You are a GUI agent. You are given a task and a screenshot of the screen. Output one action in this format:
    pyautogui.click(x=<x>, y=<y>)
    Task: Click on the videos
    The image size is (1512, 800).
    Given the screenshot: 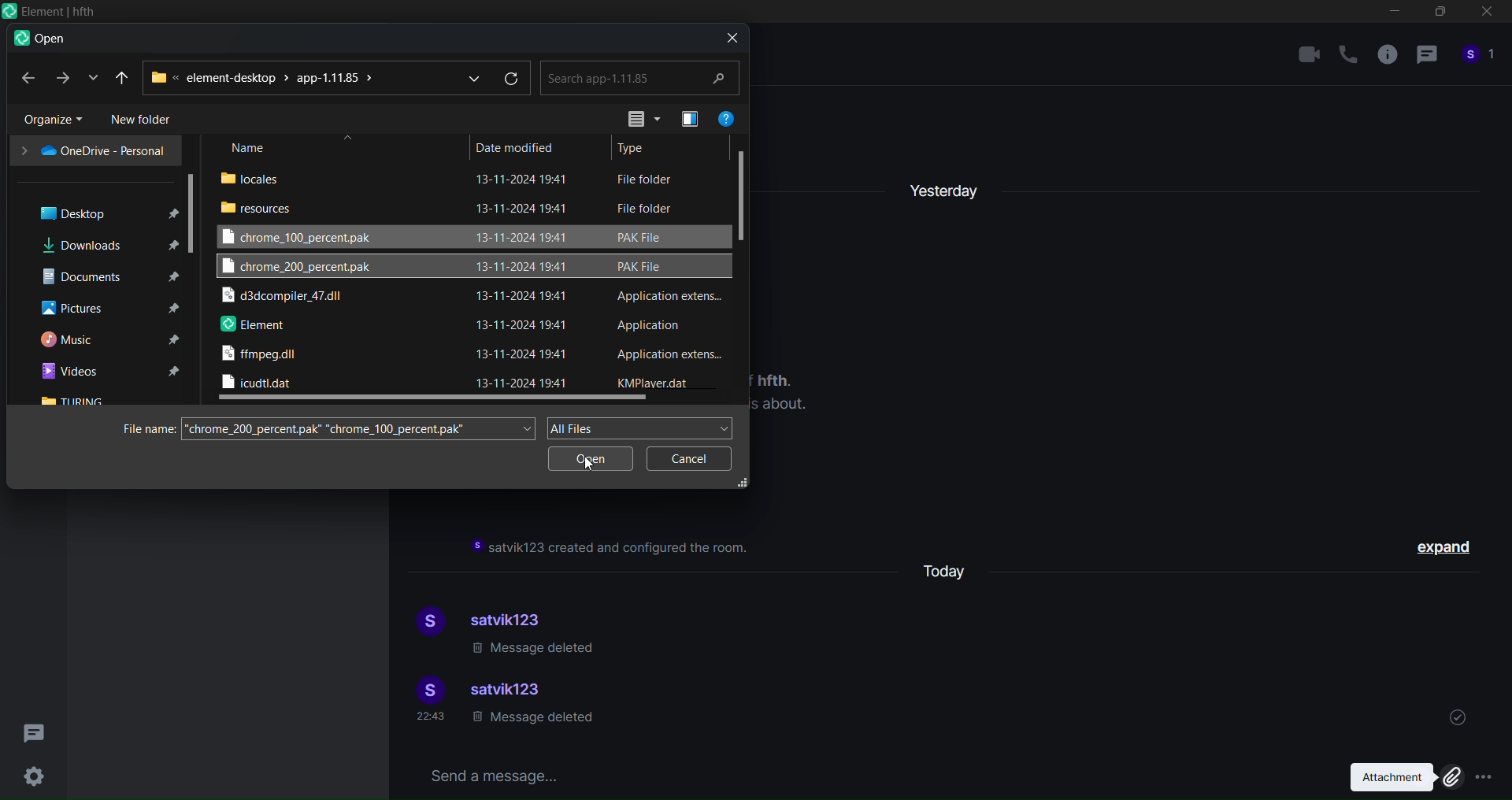 What is the action you would take?
    pyautogui.click(x=109, y=369)
    